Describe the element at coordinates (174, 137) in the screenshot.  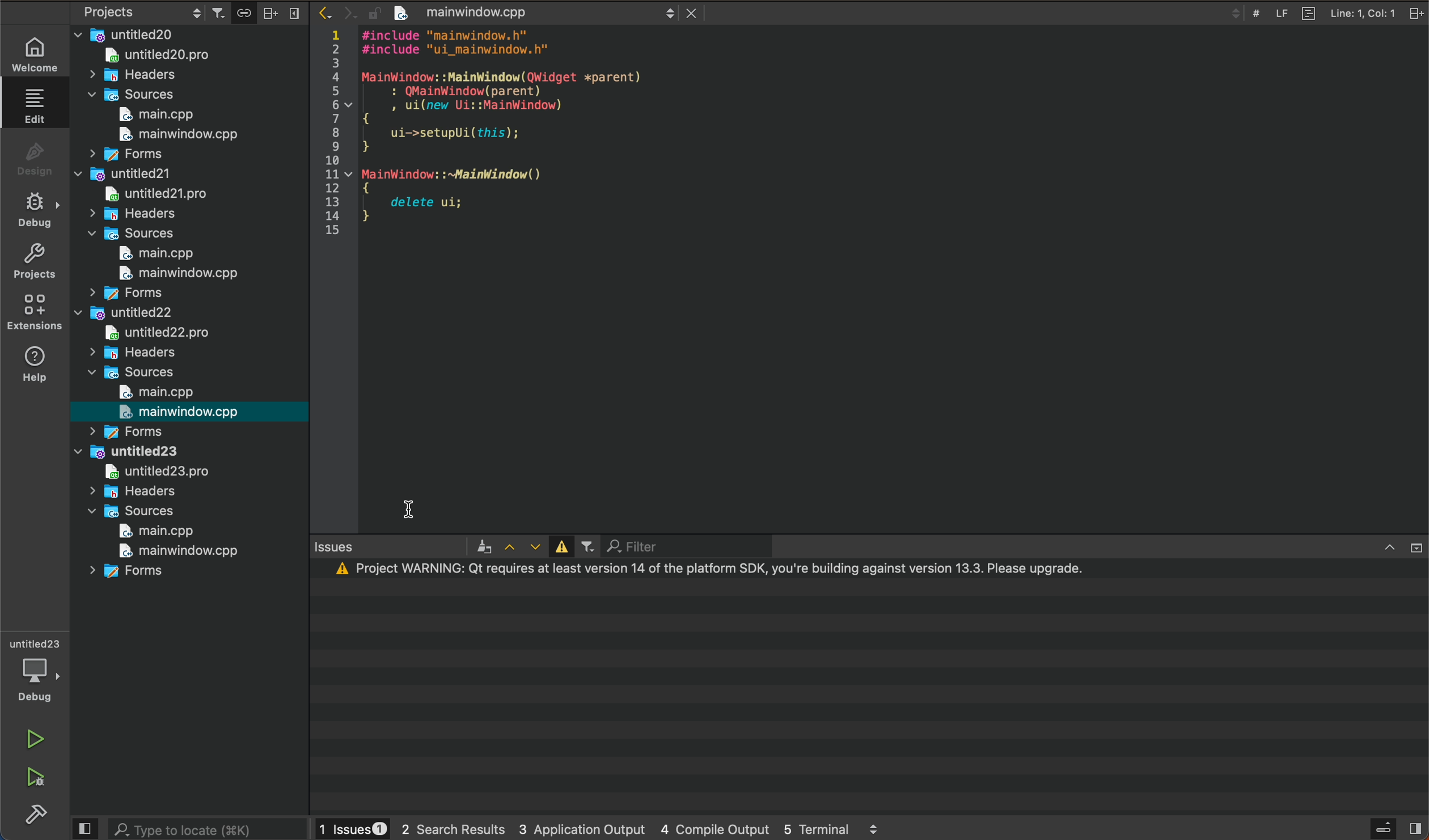
I see `mainwindow.cpp` at that location.